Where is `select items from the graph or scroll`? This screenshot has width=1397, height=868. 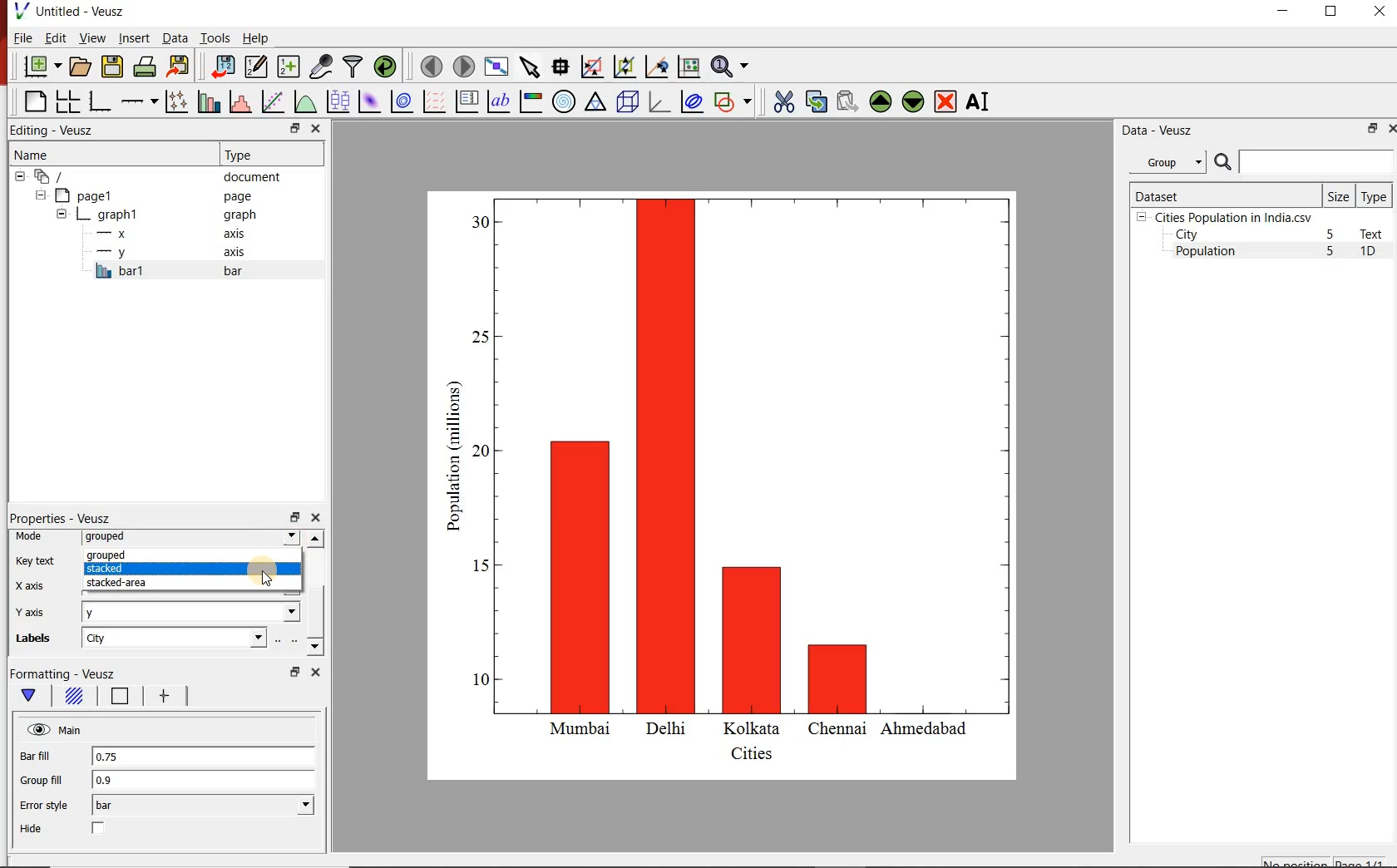 select items from the graph or scroll is located at coordinates (529, 66).